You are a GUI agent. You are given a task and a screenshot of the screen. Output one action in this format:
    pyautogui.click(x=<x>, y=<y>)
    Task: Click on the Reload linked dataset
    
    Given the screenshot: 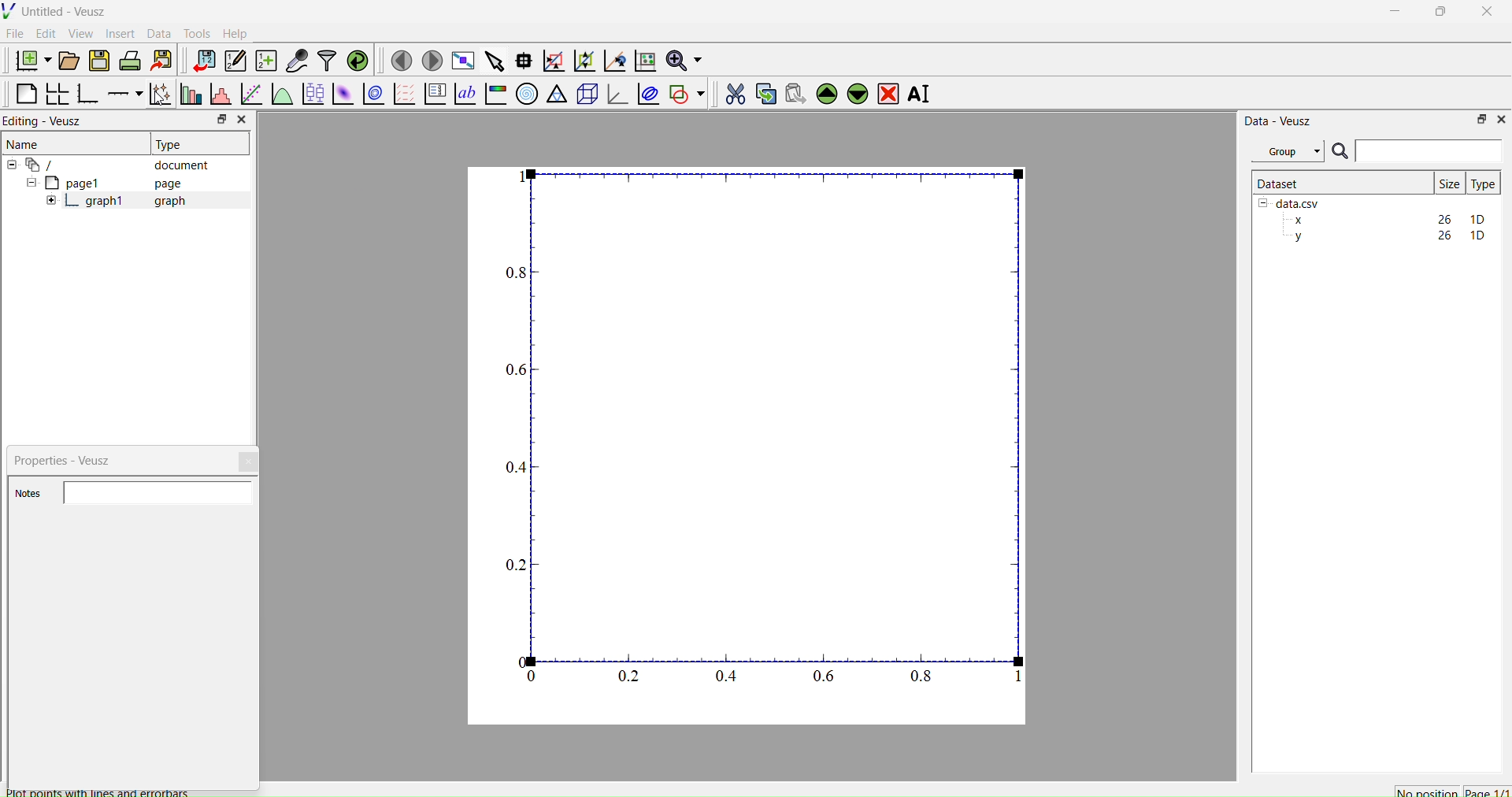 What is the action you would take?
    pyautogui.click(x=356, y=59)
    